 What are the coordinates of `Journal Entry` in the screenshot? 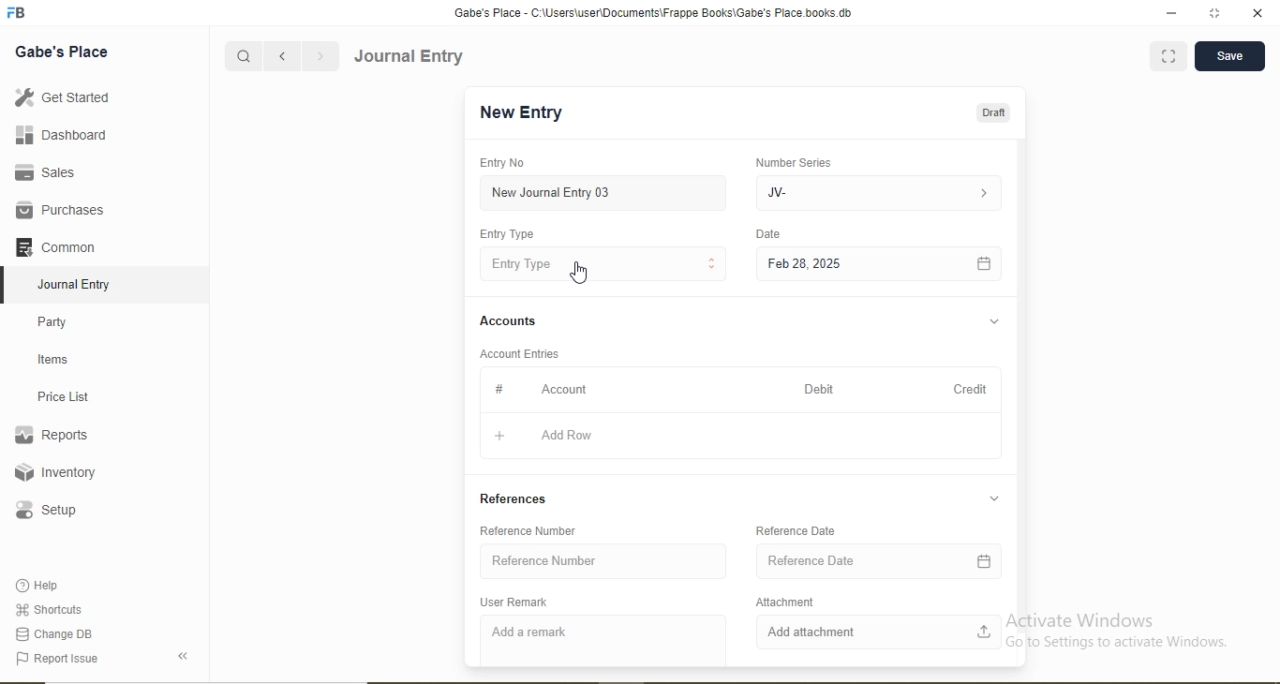 It's located at (411, 56).